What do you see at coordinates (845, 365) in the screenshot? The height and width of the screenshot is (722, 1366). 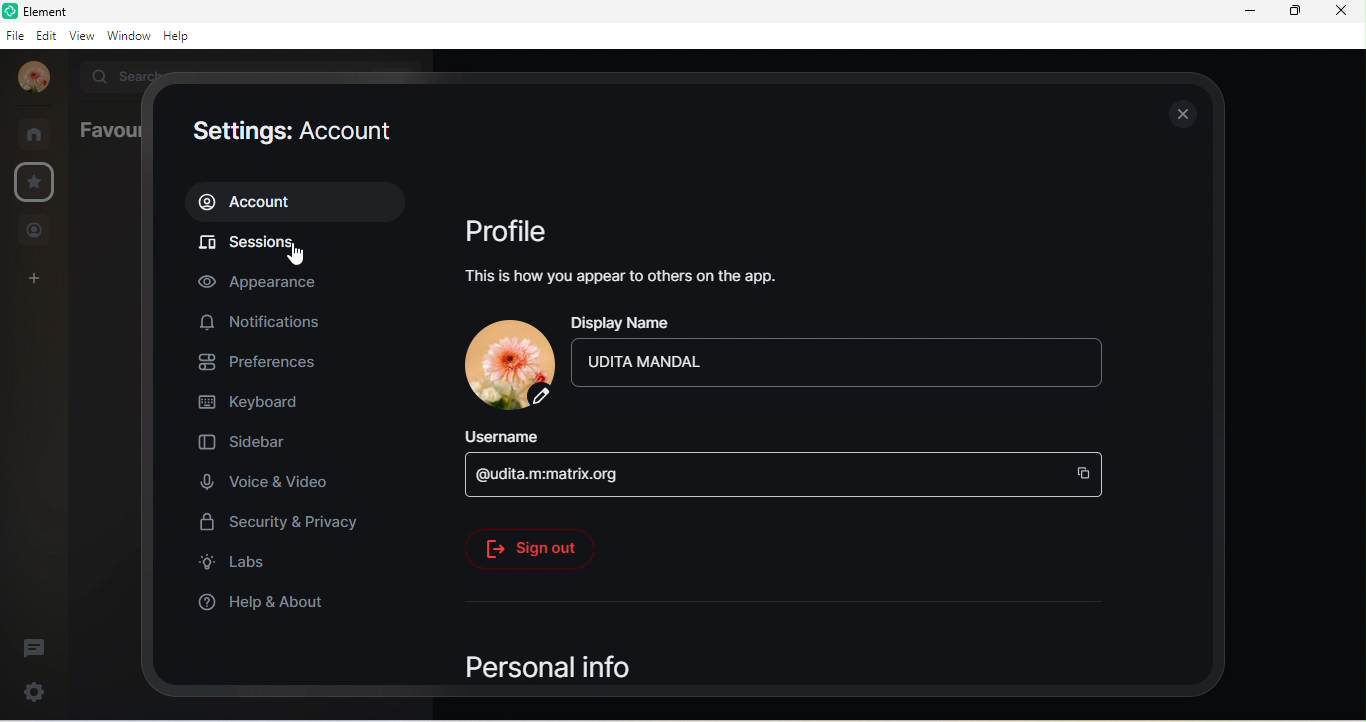 I see `display name-udita mandal` at bounding box center [845, 365].